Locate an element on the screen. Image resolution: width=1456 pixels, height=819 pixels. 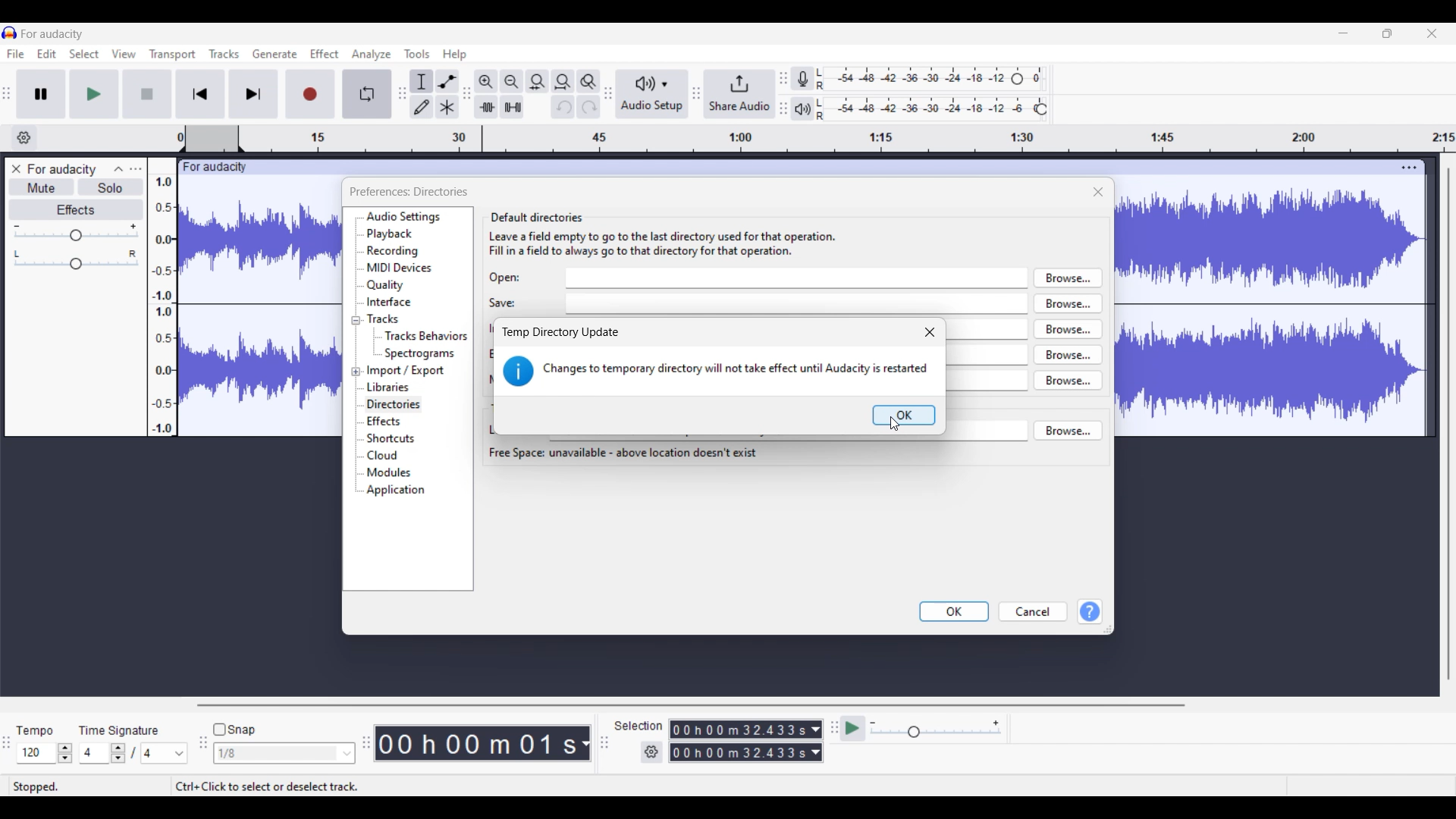
Audio settings is located at coordinates (404, 217).